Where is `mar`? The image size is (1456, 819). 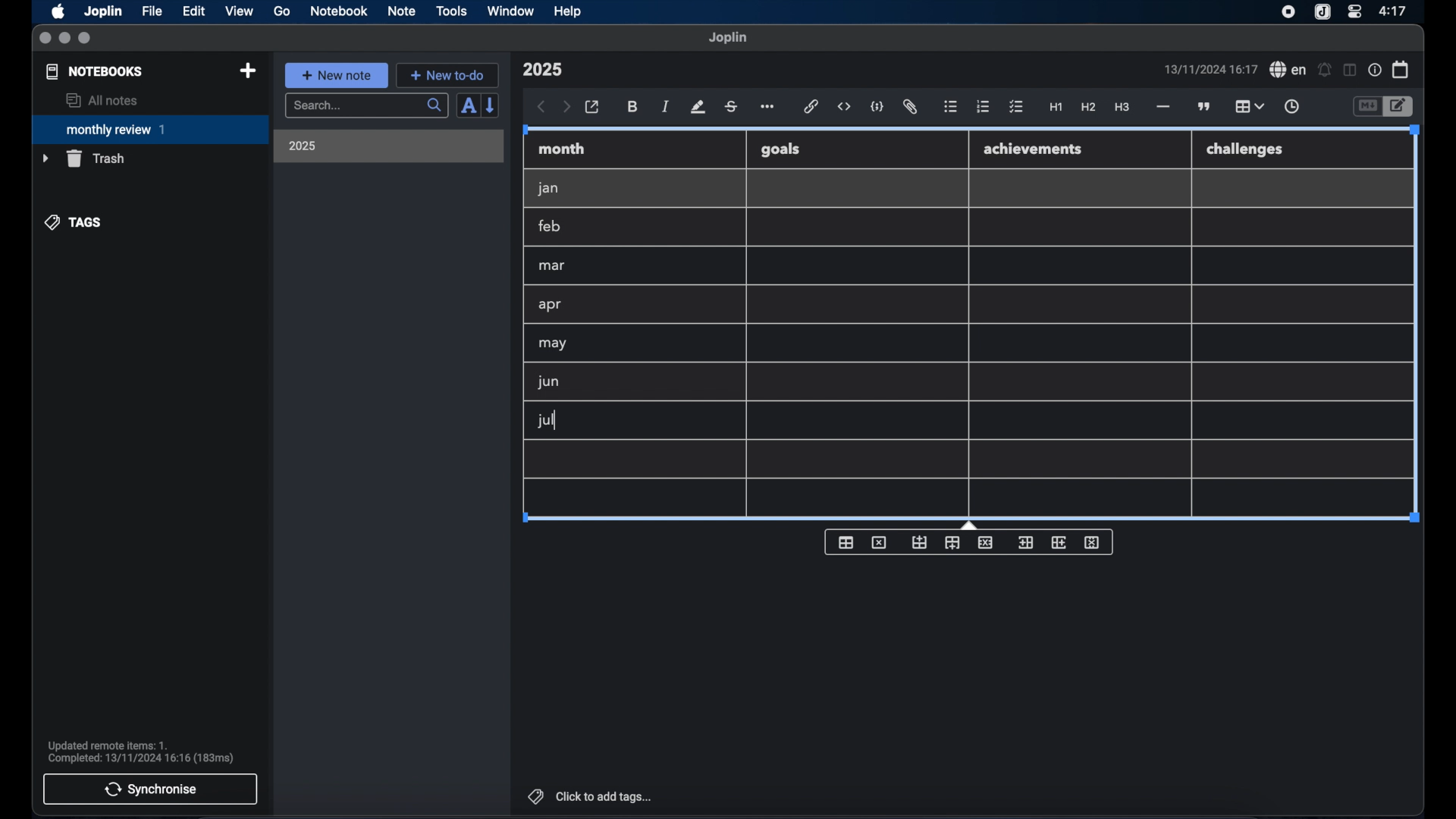 mar is located at coordinates (553, 266).